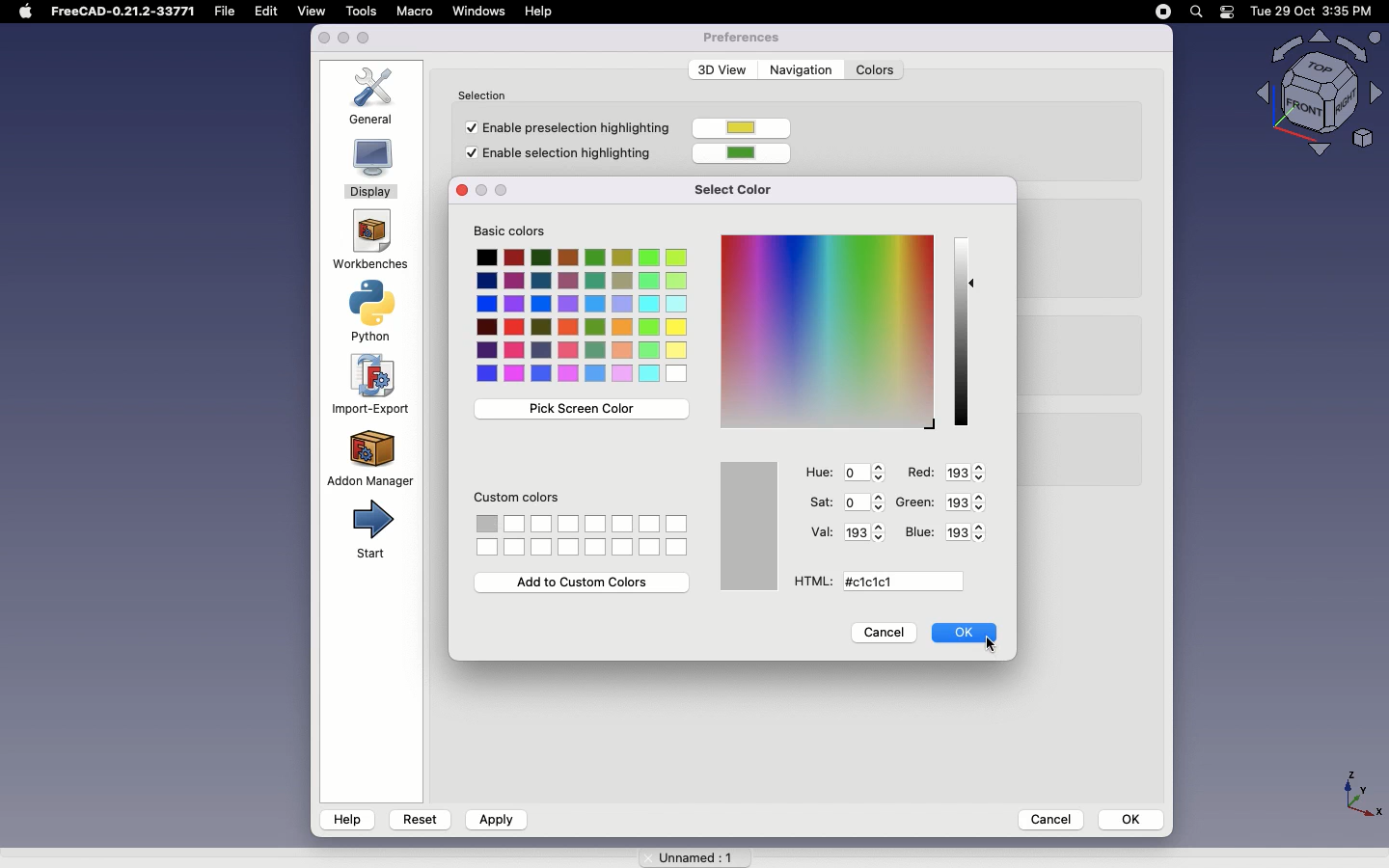 This screenshot has width=1389, height=868. Describe the element at coordinates (542, 11) in the screenshot. I see `Help` at that location.